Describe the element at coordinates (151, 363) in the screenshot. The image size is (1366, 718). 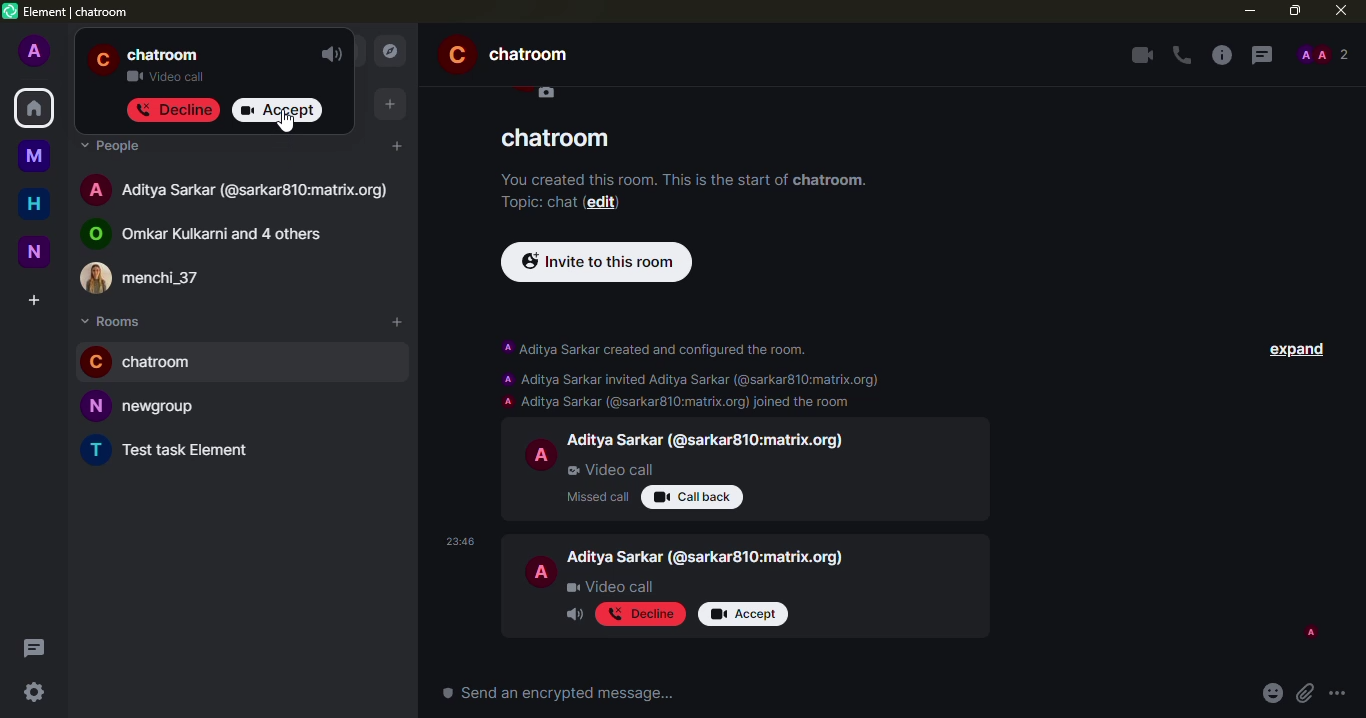
I see `chatroom` at that location.